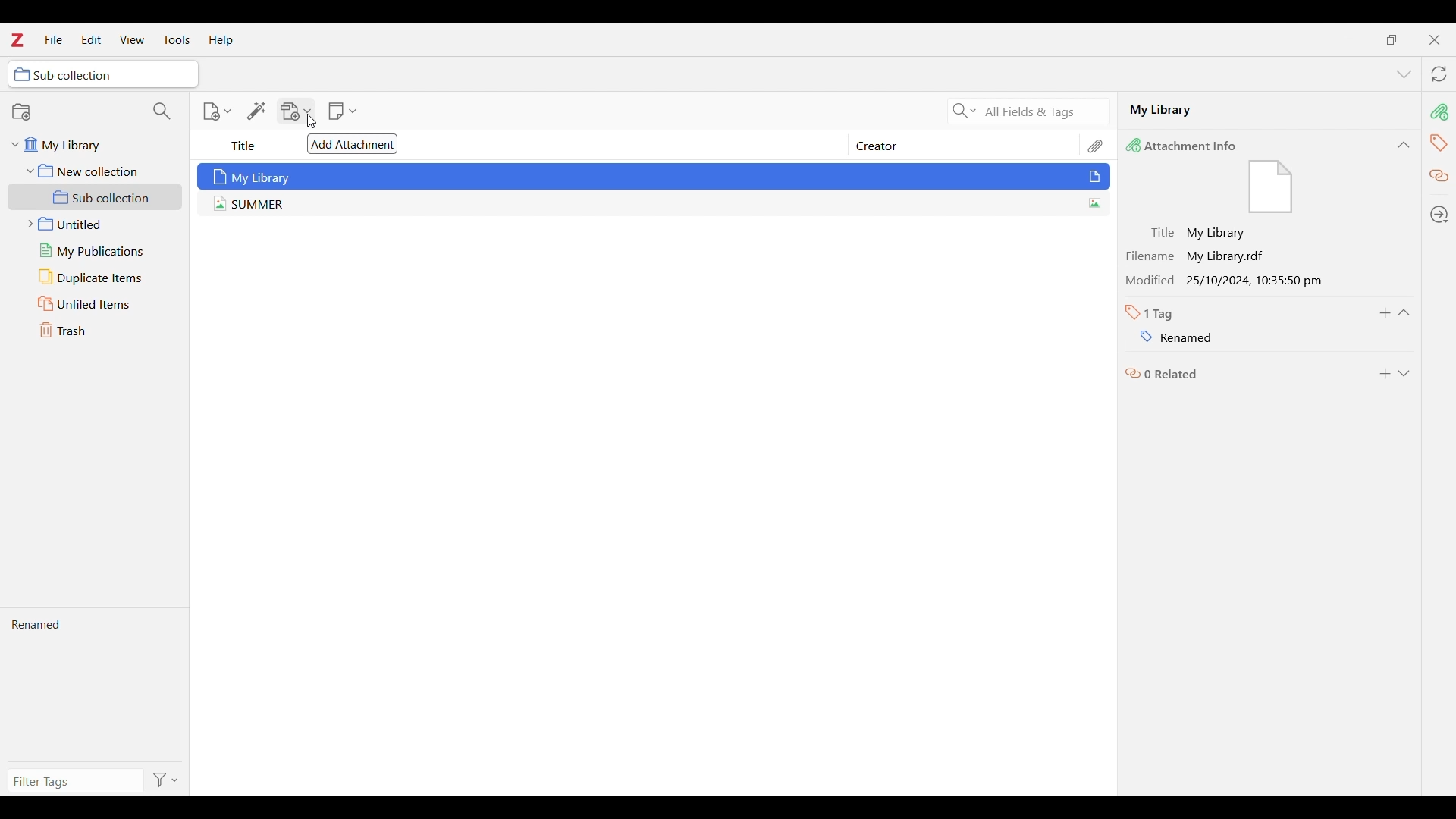 The width and height of the screenshot is (1456, 819). I want to click on All Fields & Tags, so click(1046, 111).